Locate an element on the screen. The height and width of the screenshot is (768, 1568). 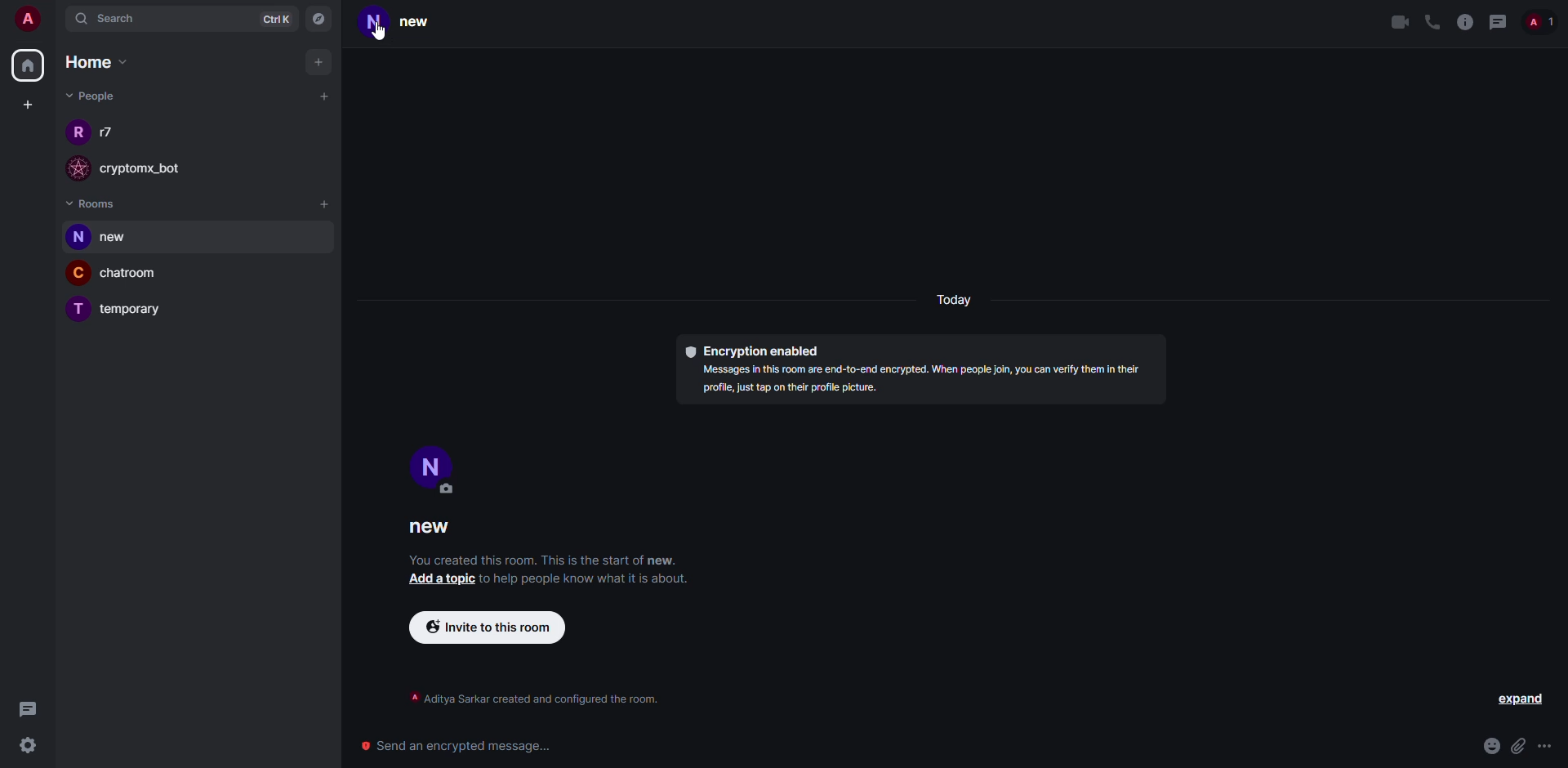
profile image is located at coordinates (74, 311).